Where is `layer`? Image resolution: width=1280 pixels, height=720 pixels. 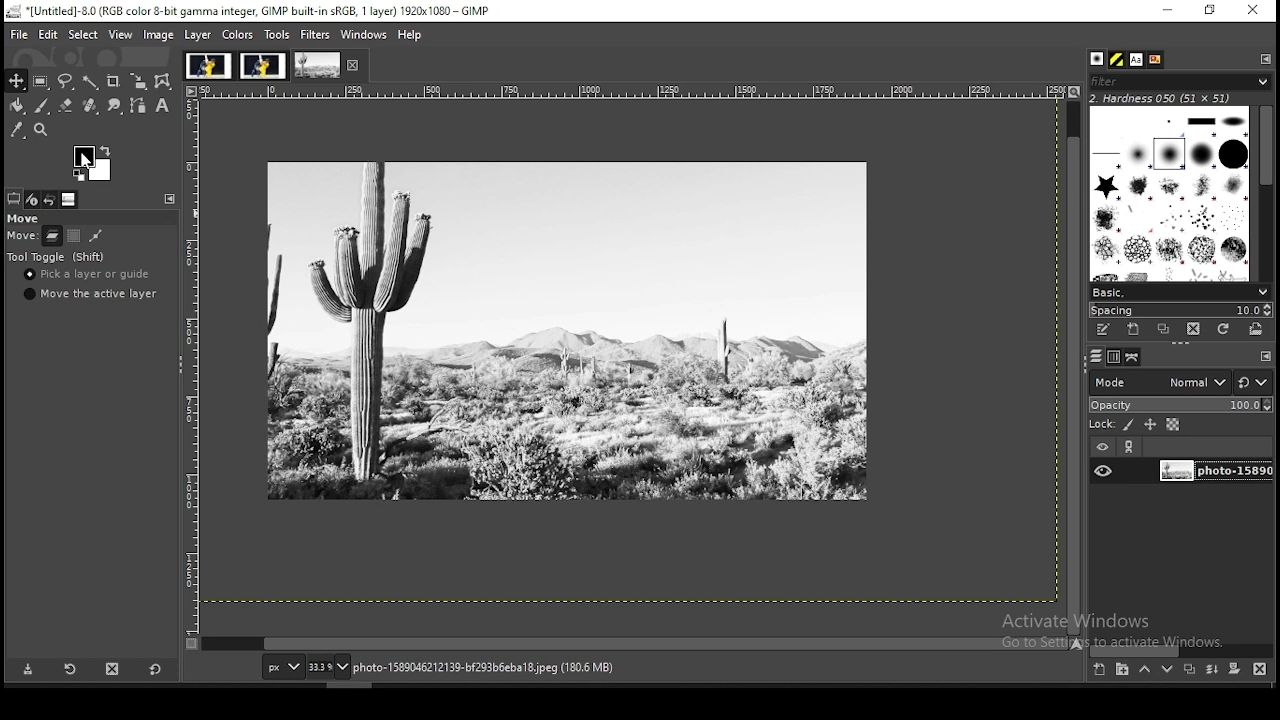
layer is located at coordinates (199, 35).